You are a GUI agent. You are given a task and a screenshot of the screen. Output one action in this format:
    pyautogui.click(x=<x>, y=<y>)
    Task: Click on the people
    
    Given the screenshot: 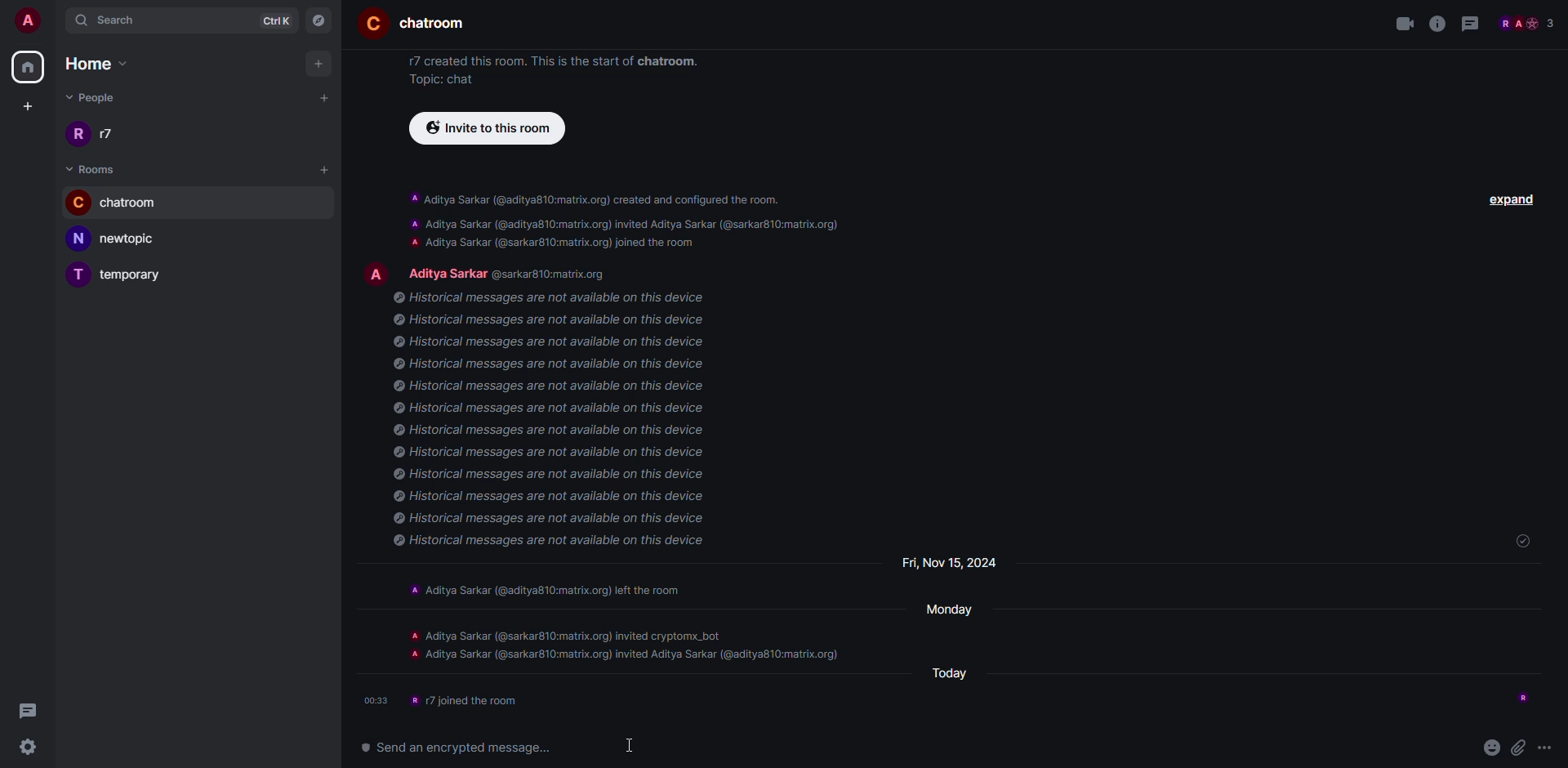 What is the action you would take?
    pyautogui.click(x=100, y=100)
    